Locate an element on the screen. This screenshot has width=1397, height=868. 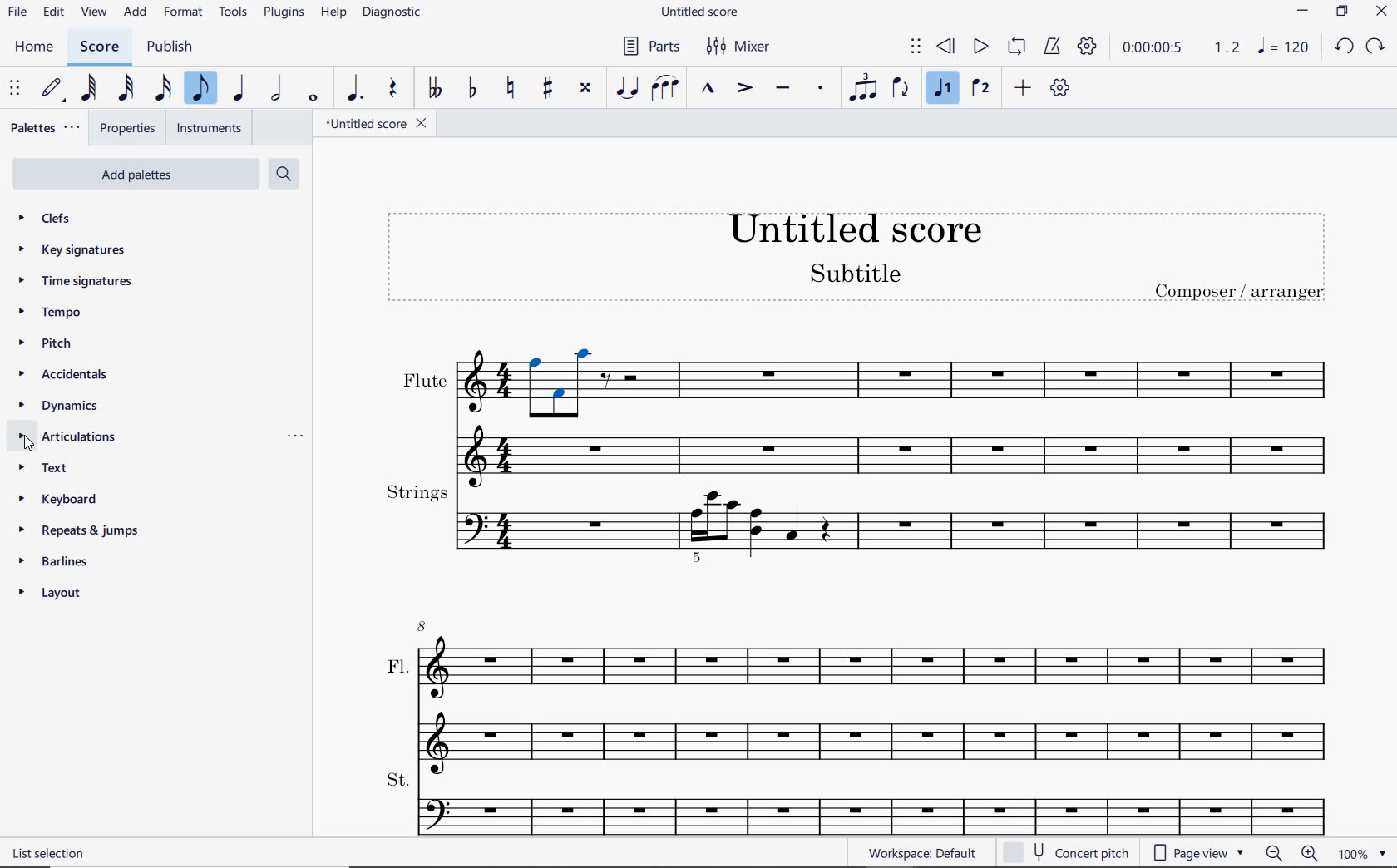
SELECT TO MOVE is located at coordinates (15, 89).